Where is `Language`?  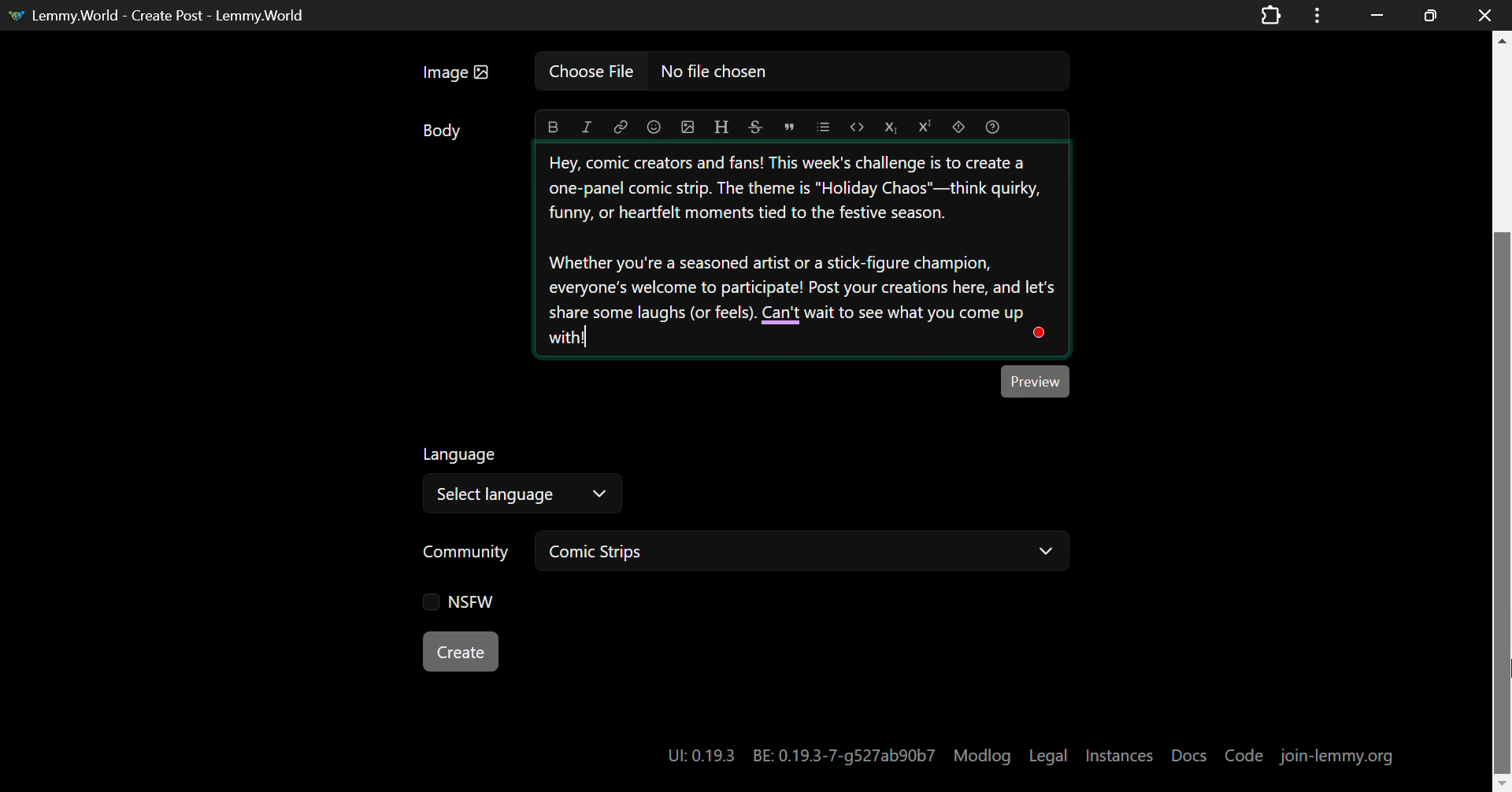 Language is located at coordinates (461, 453).